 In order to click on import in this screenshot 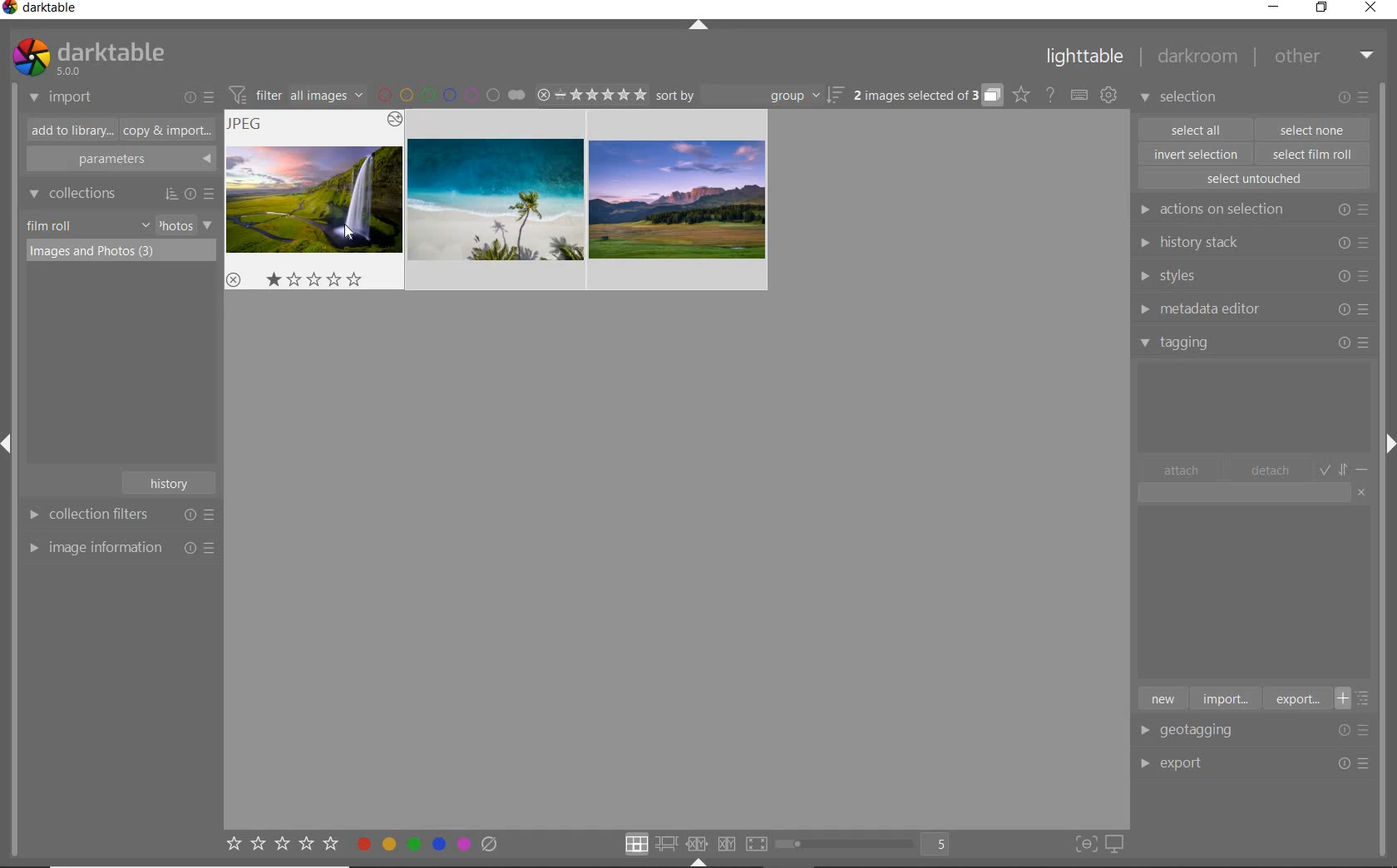, I will do `click(1224, 698)`.